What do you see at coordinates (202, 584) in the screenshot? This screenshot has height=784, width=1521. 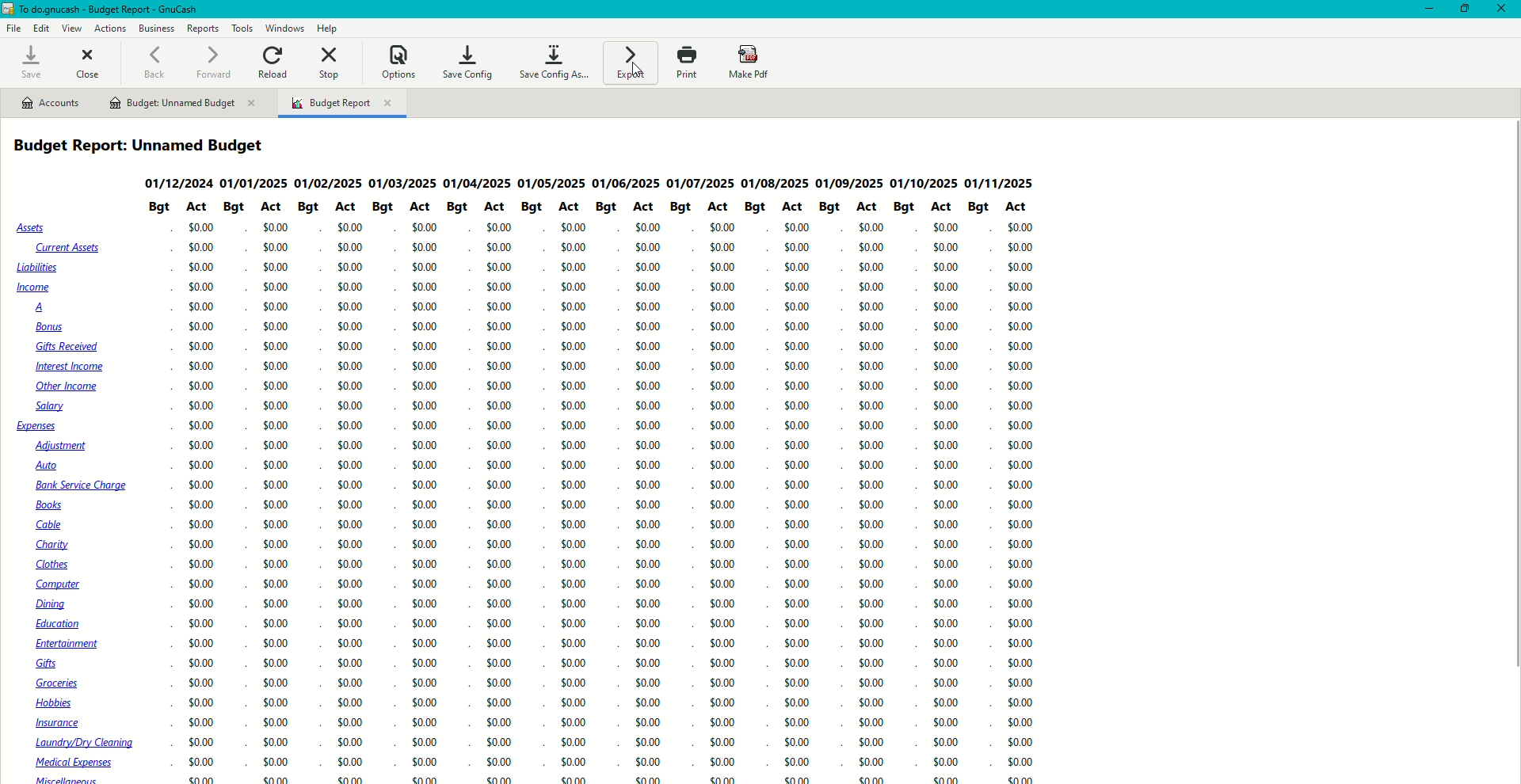 I see `$0.00` at bounding box center [202, 584].